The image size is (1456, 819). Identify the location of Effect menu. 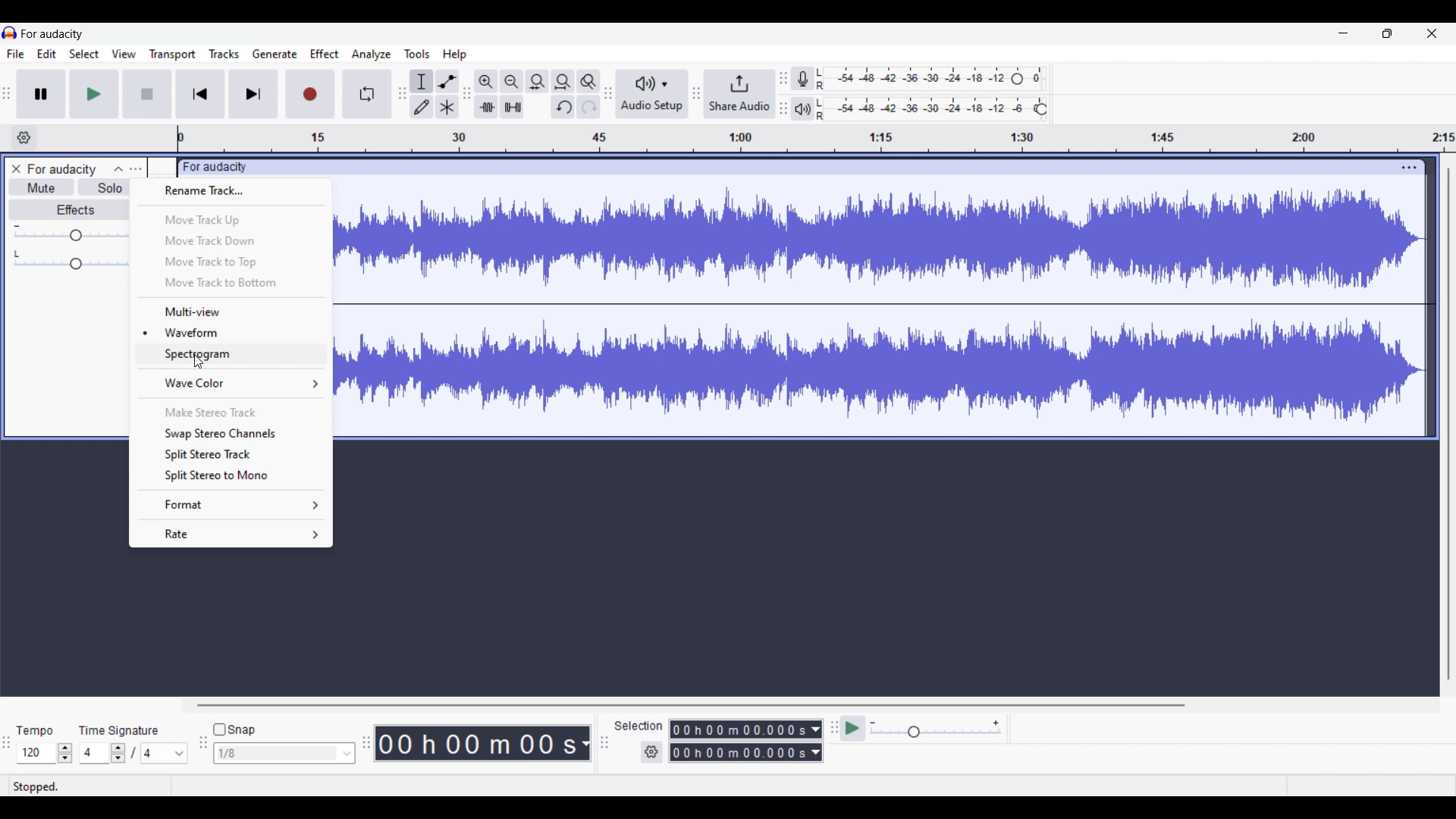
(325, 54).